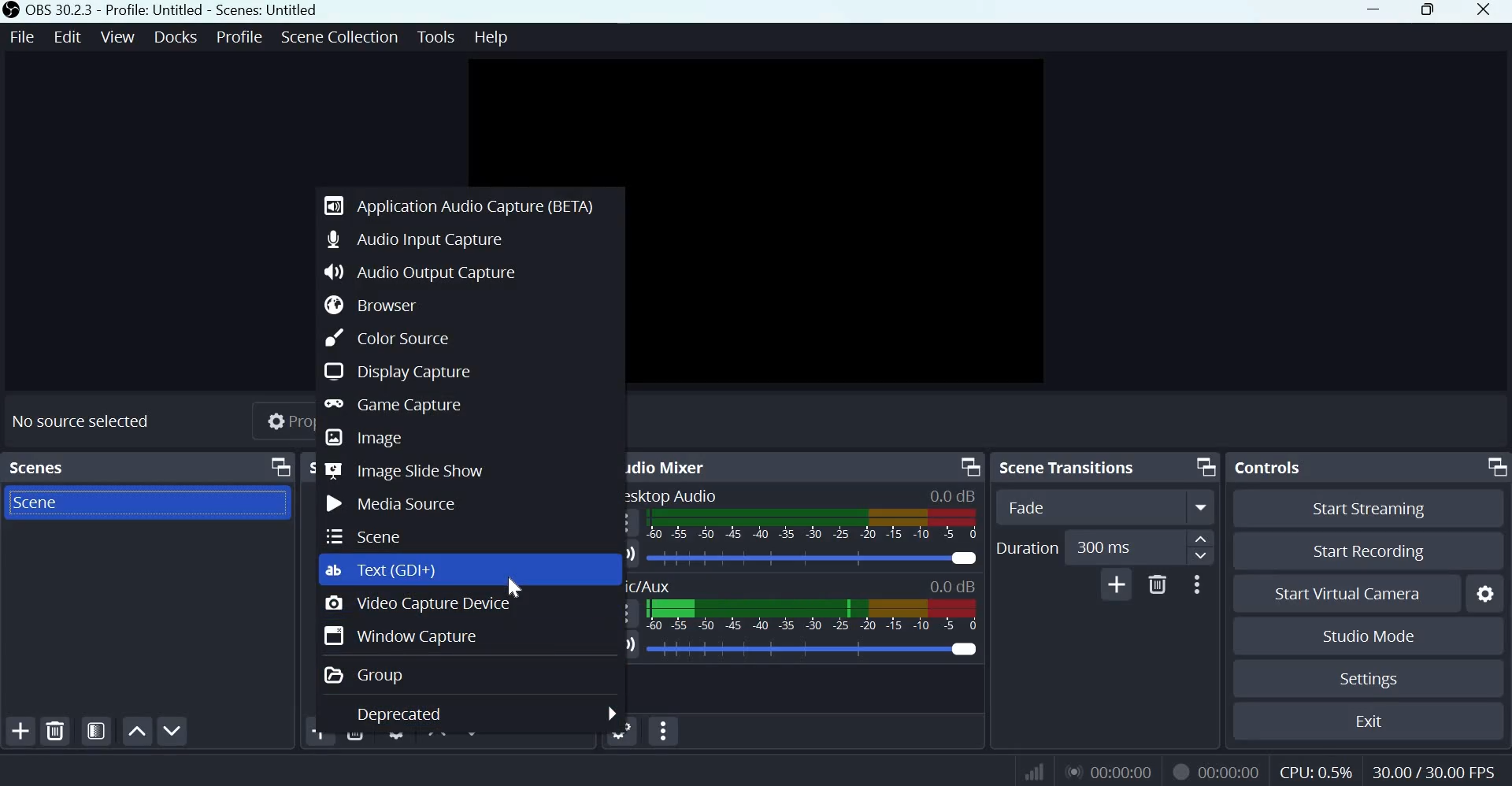 The width and height of the screenshot is (1512, 786). Describe the element at coordinates (96, 732) in the screenshot. I see `Open scene filters` at that location.